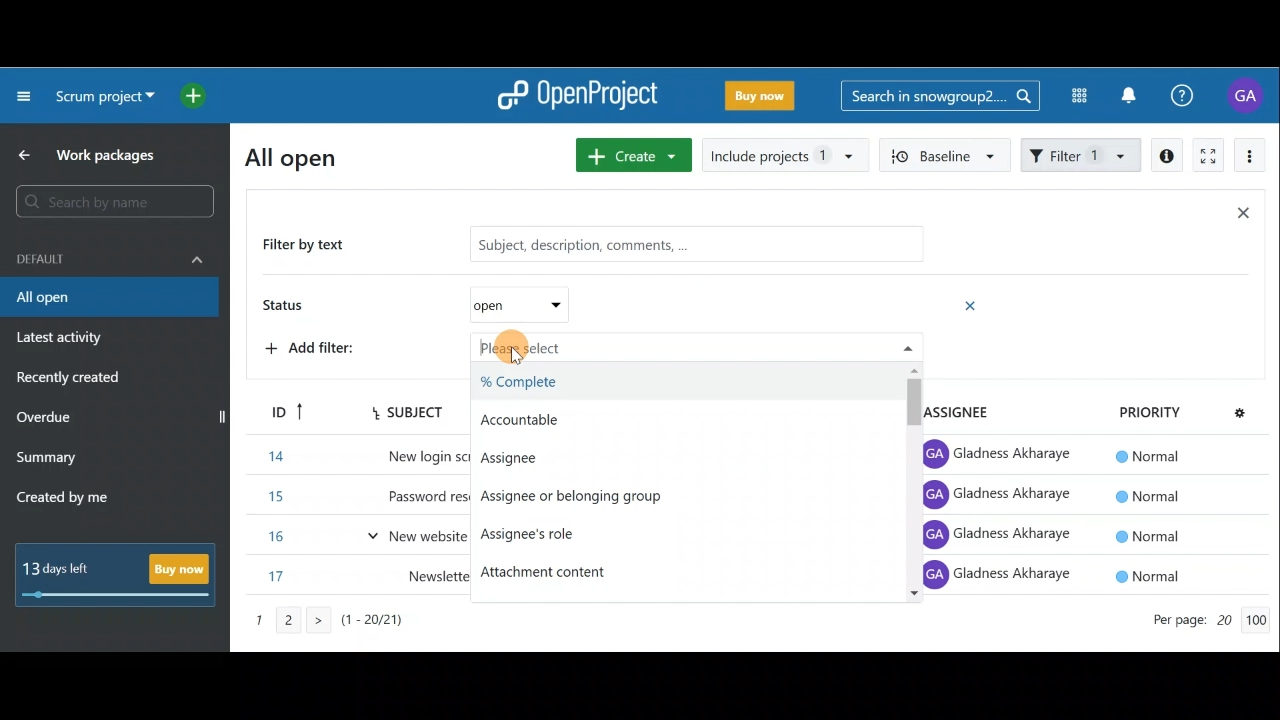 The height and width of the screenshot is (720, 1280). Describe the element at coordinates (1060, 455) in the screenshot. I see `Item 6` at that location.